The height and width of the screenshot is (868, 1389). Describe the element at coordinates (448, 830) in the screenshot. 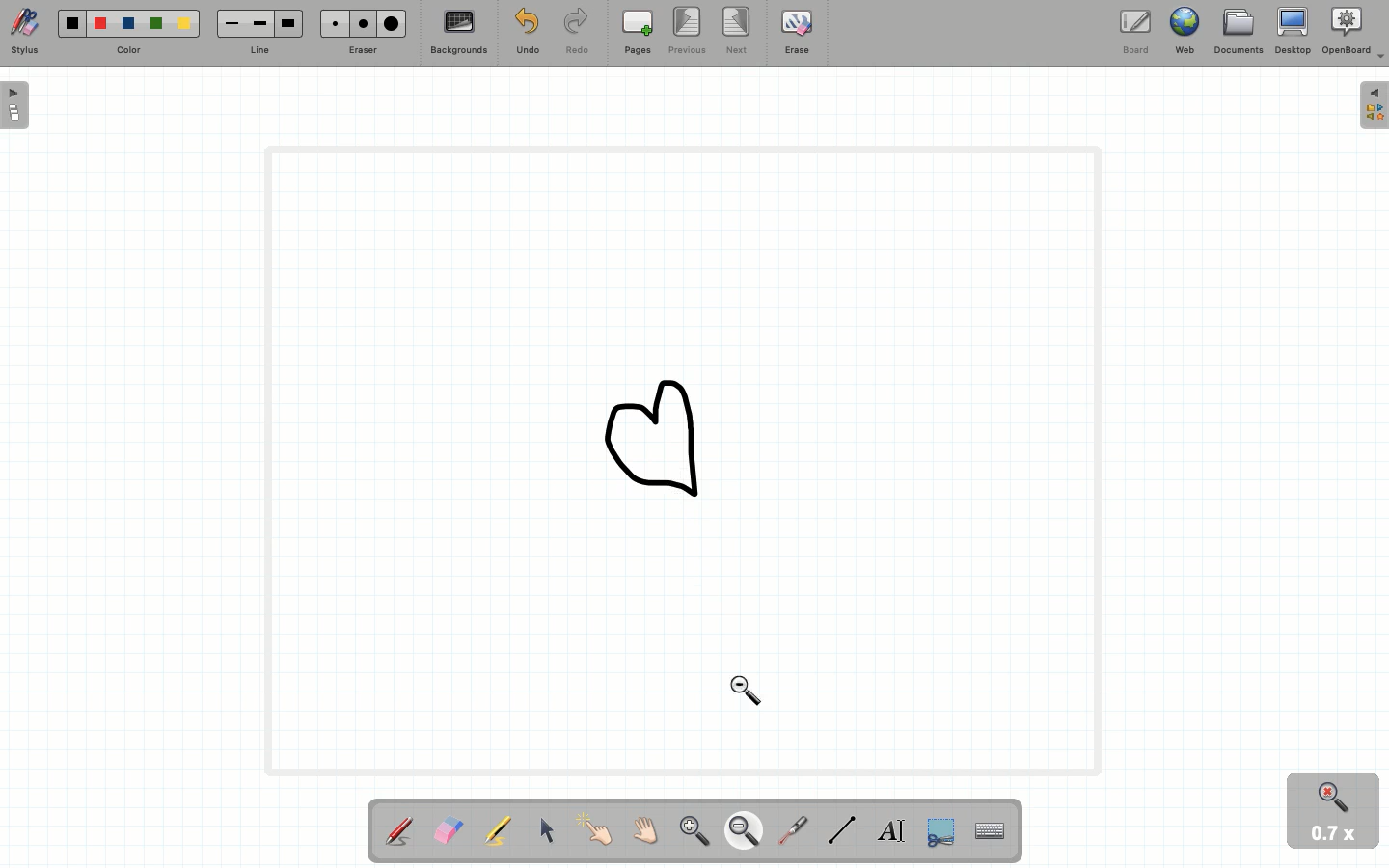

I see `Eraser` at that location.